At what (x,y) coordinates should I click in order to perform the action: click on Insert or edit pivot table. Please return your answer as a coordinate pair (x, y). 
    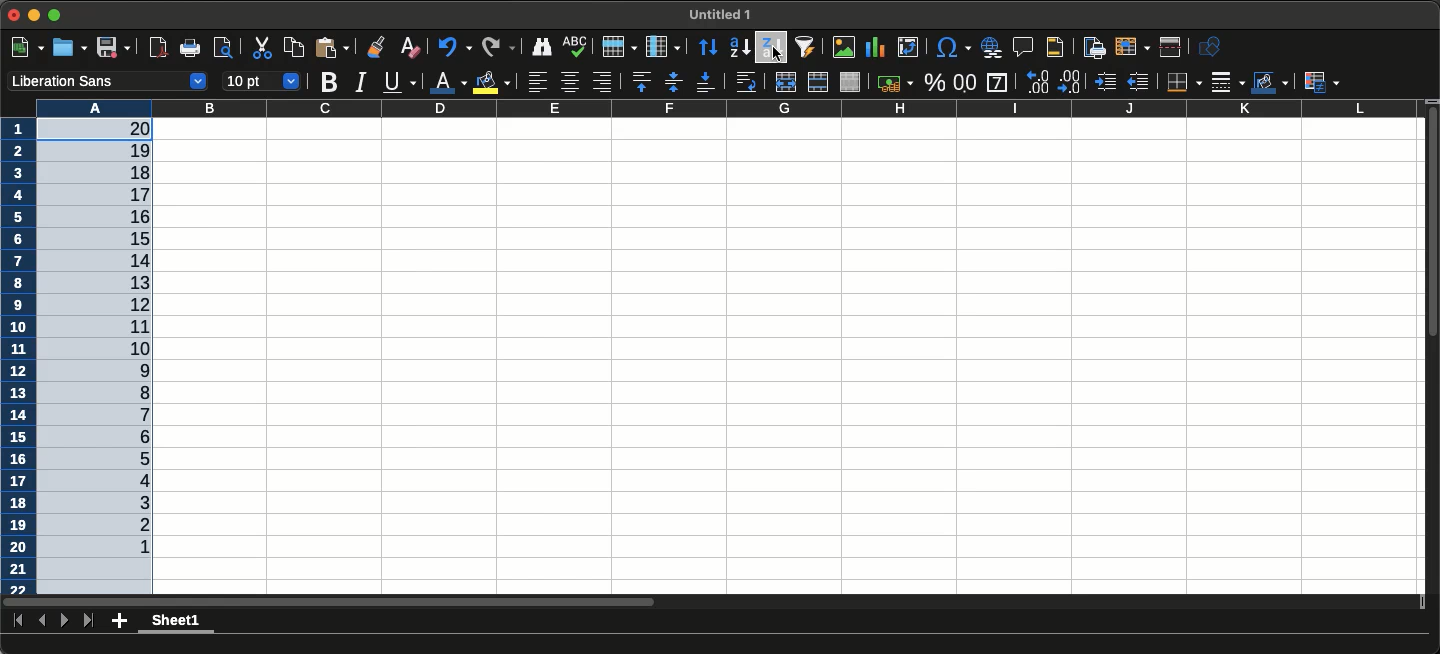
    Looking at the image, I should click on (908, 47).